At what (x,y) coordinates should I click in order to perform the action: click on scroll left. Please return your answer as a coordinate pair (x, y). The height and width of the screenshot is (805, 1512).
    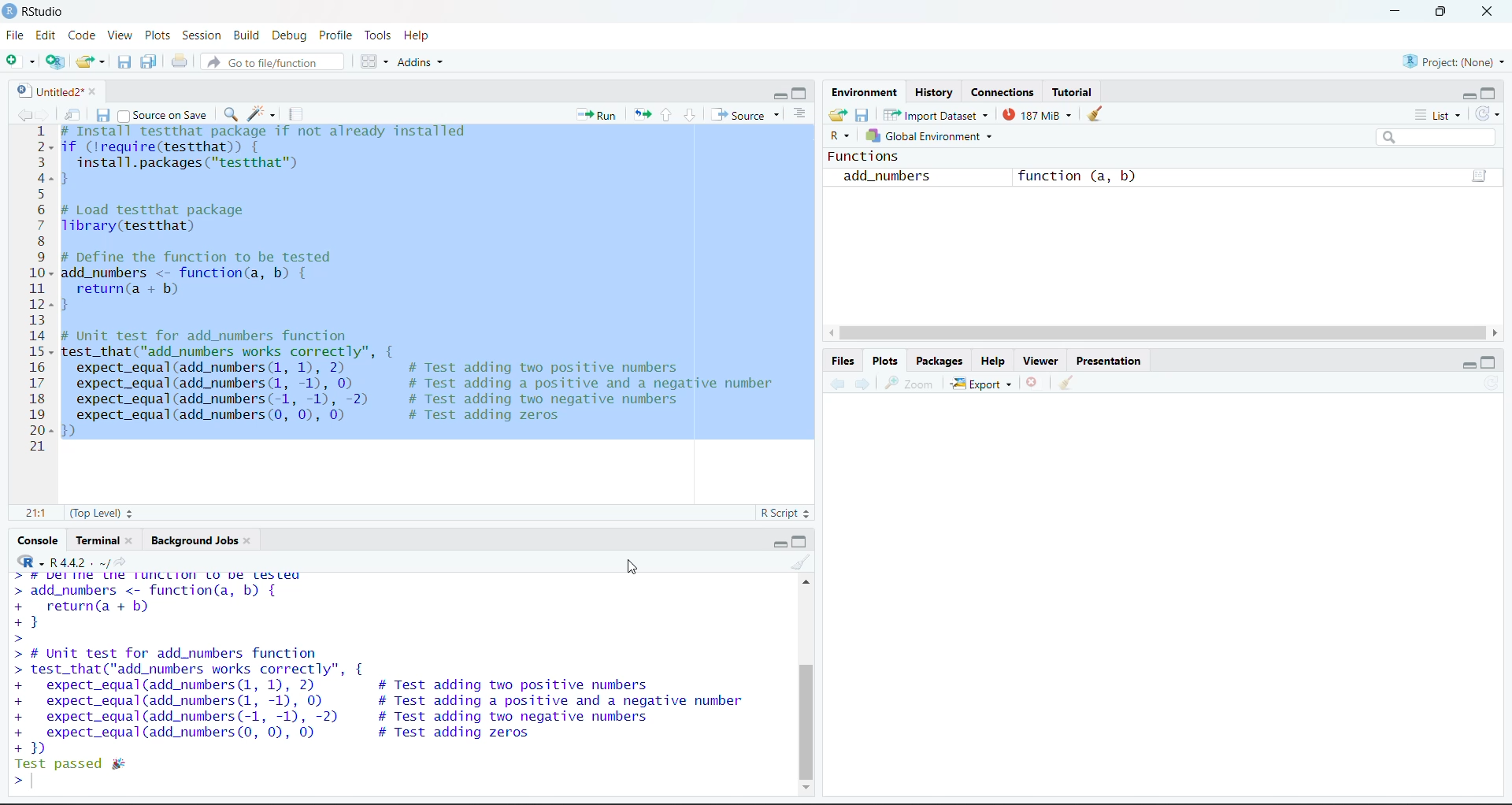
    Looking at the image, I should click on (831, 332).